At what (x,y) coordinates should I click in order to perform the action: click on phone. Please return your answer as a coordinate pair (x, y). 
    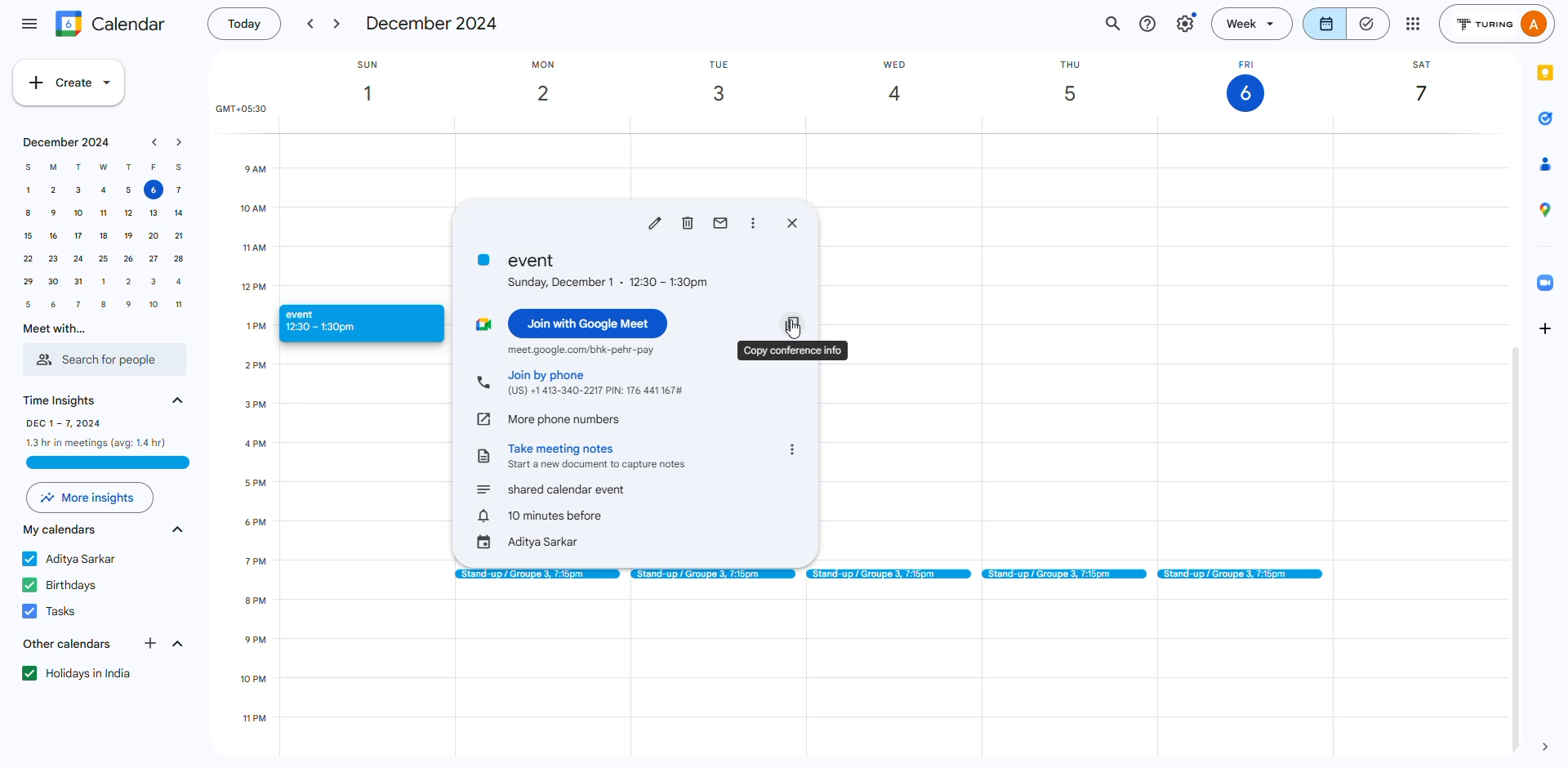
    Looking at the image, I should click on (483, 383).